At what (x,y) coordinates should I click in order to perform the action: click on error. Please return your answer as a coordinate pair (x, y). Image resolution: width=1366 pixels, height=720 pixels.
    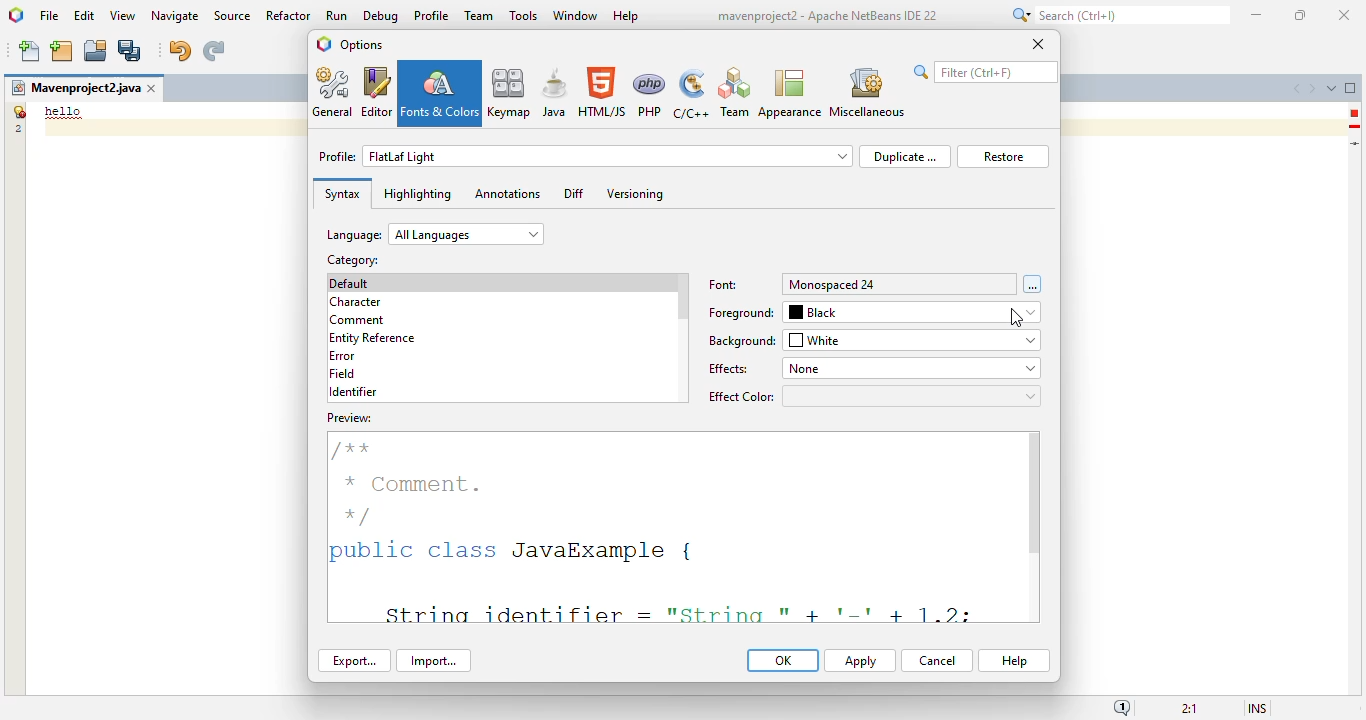
    Looking at the image, I should click on (1354, 113).